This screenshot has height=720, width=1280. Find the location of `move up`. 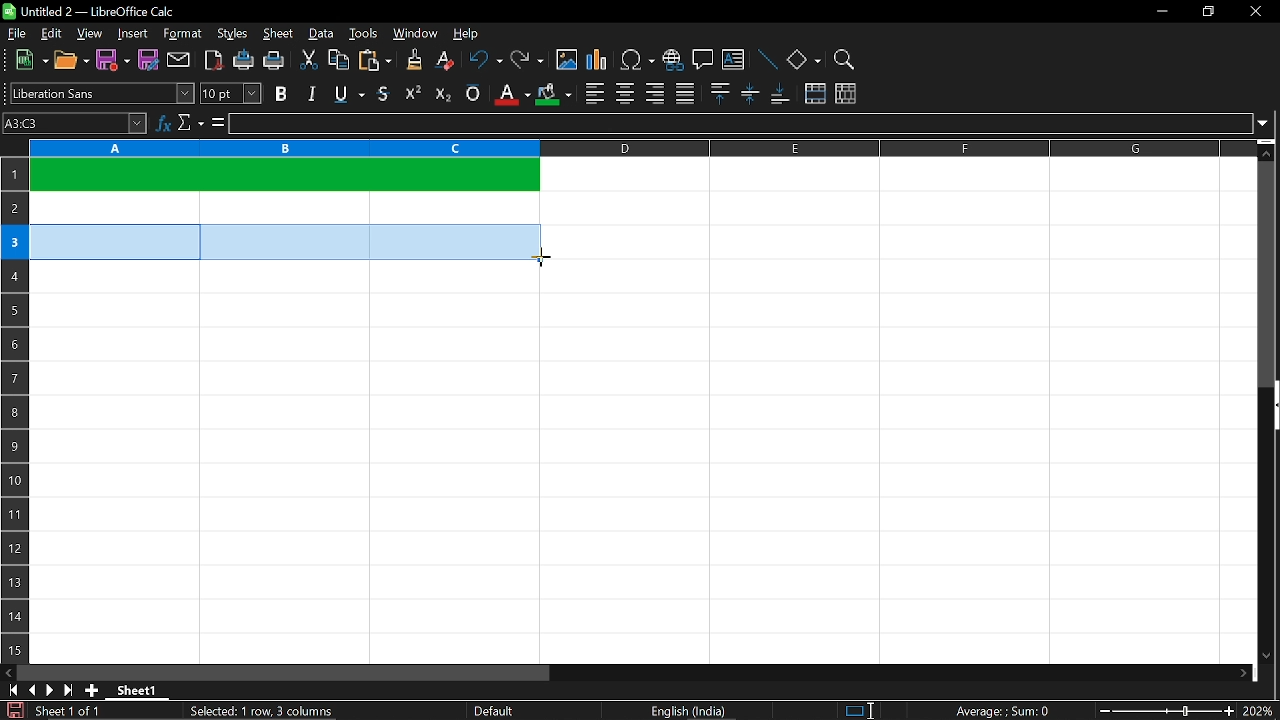

move up is located at coordinates (1269, 151).